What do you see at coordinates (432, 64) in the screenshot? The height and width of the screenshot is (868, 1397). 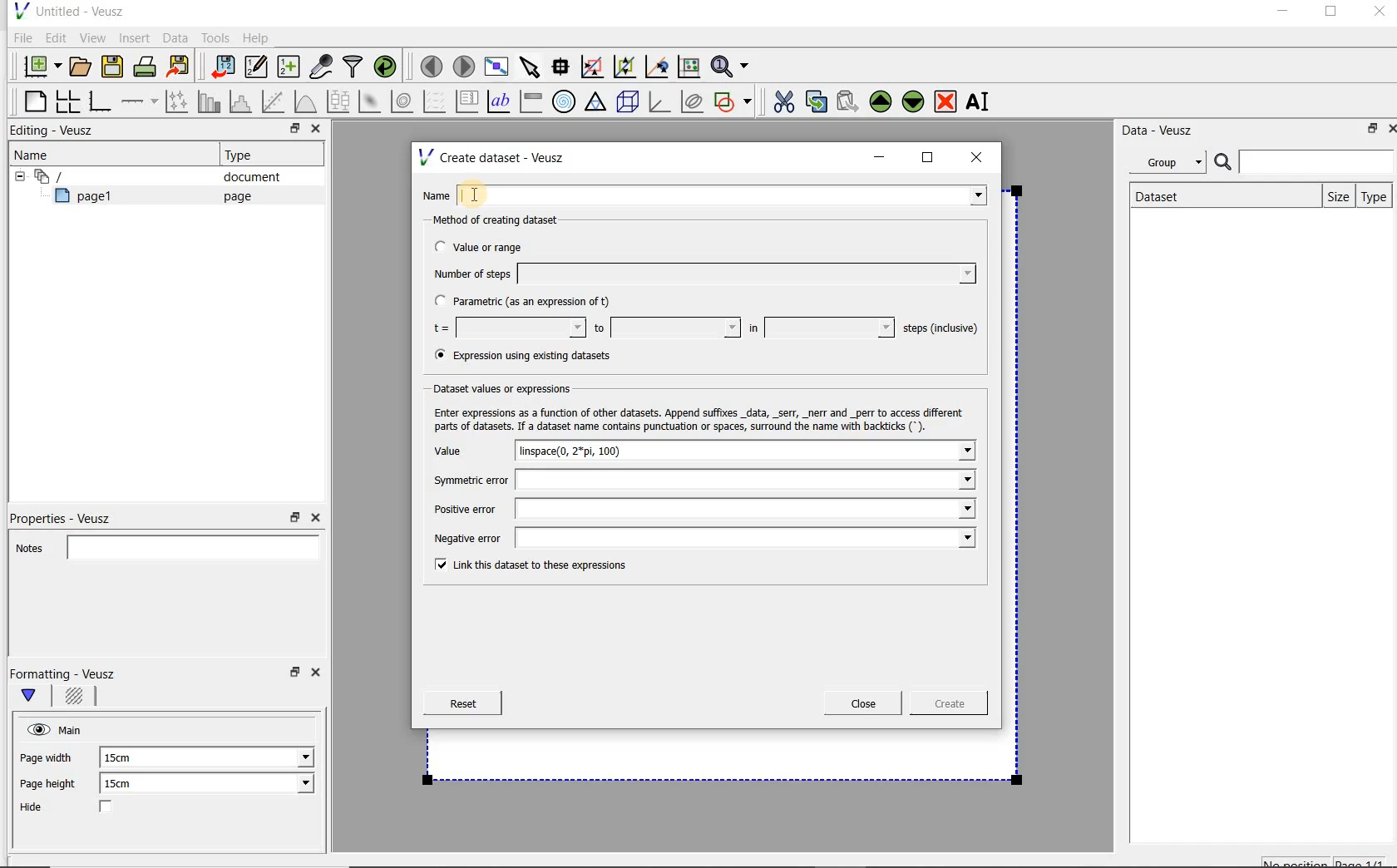 I see `move to the previous page` at bounding box center [432, 64].